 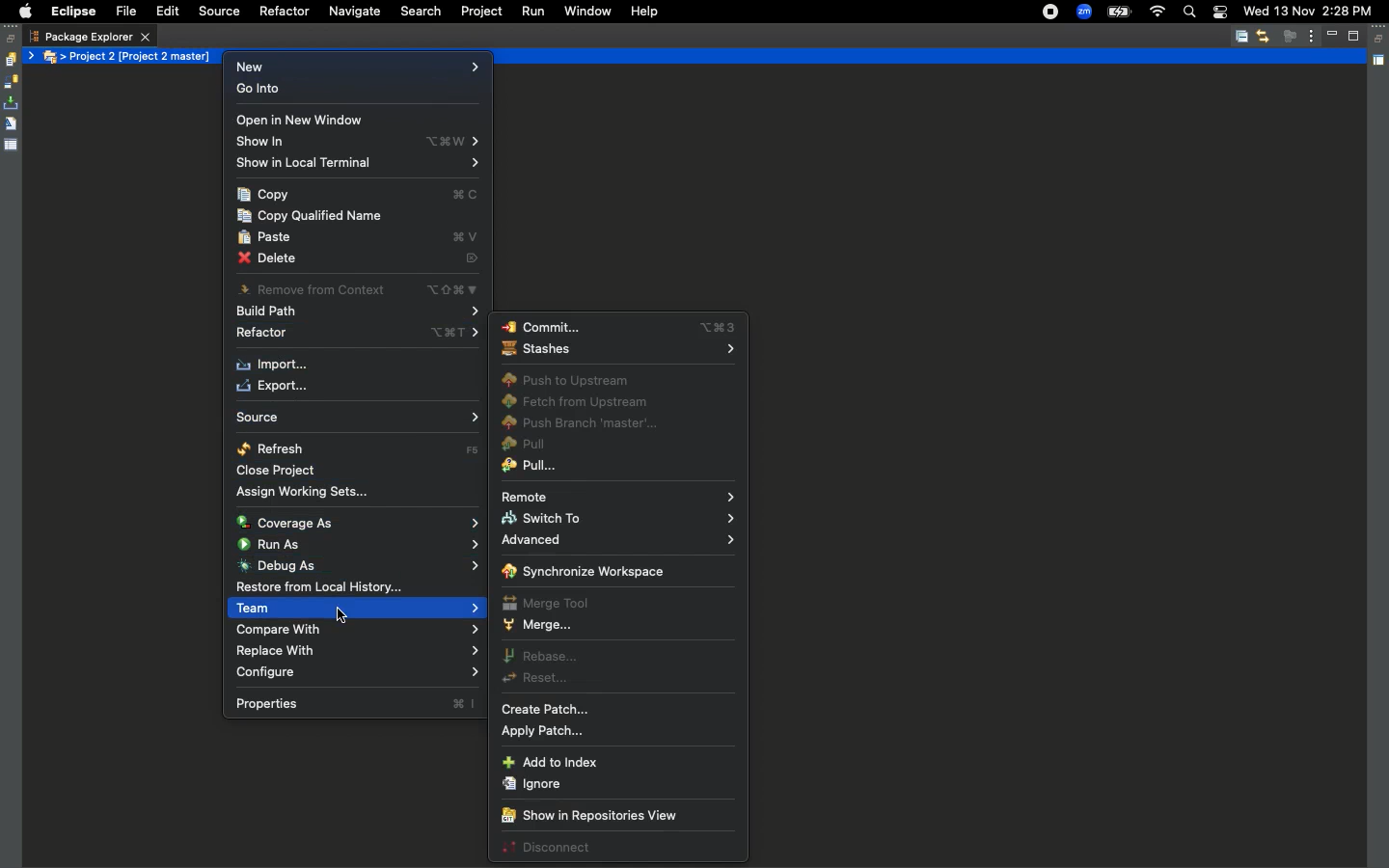 I want to click on Show in, so click(x=363, y=144).